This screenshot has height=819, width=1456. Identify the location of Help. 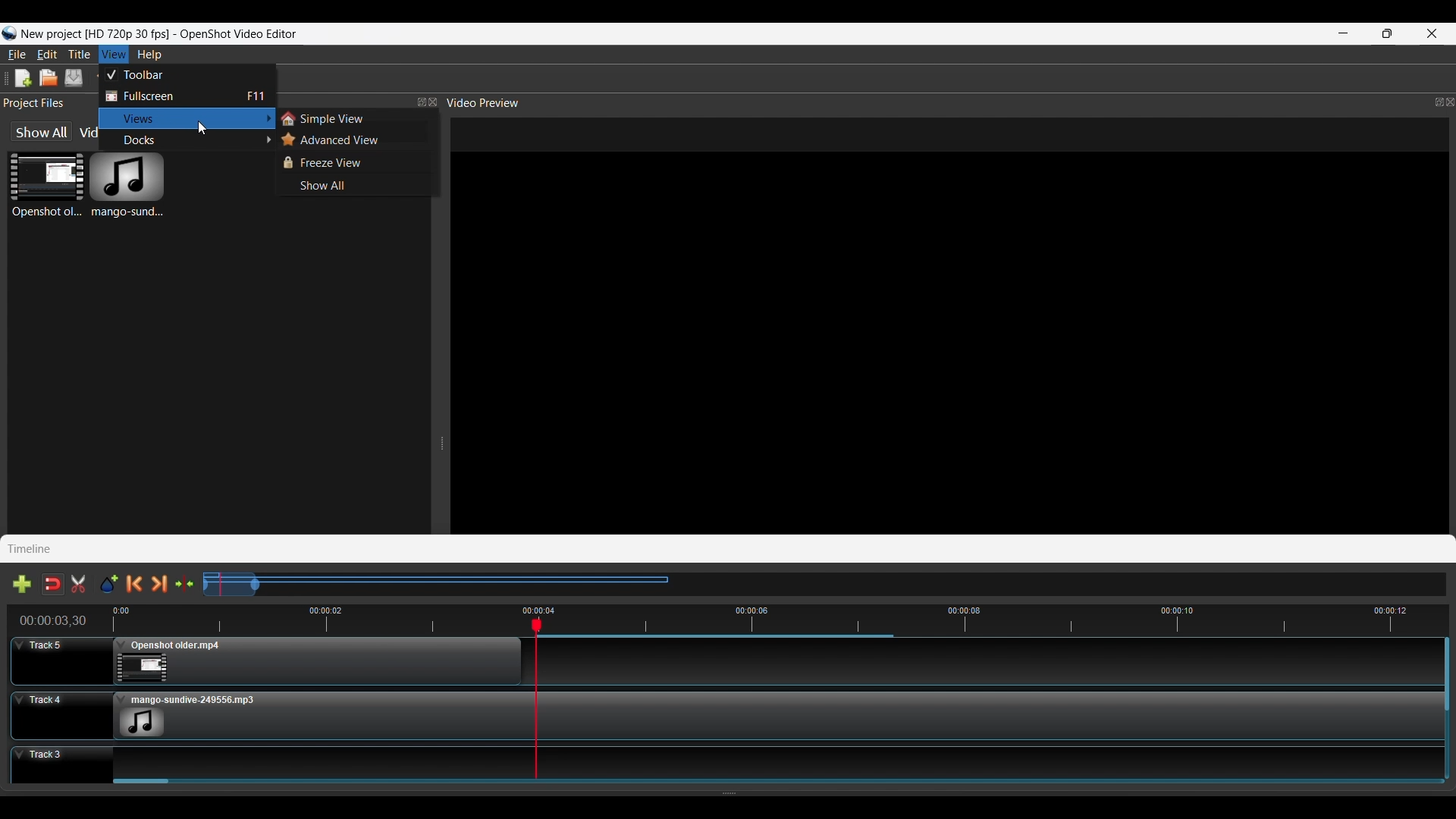
(150, 54).